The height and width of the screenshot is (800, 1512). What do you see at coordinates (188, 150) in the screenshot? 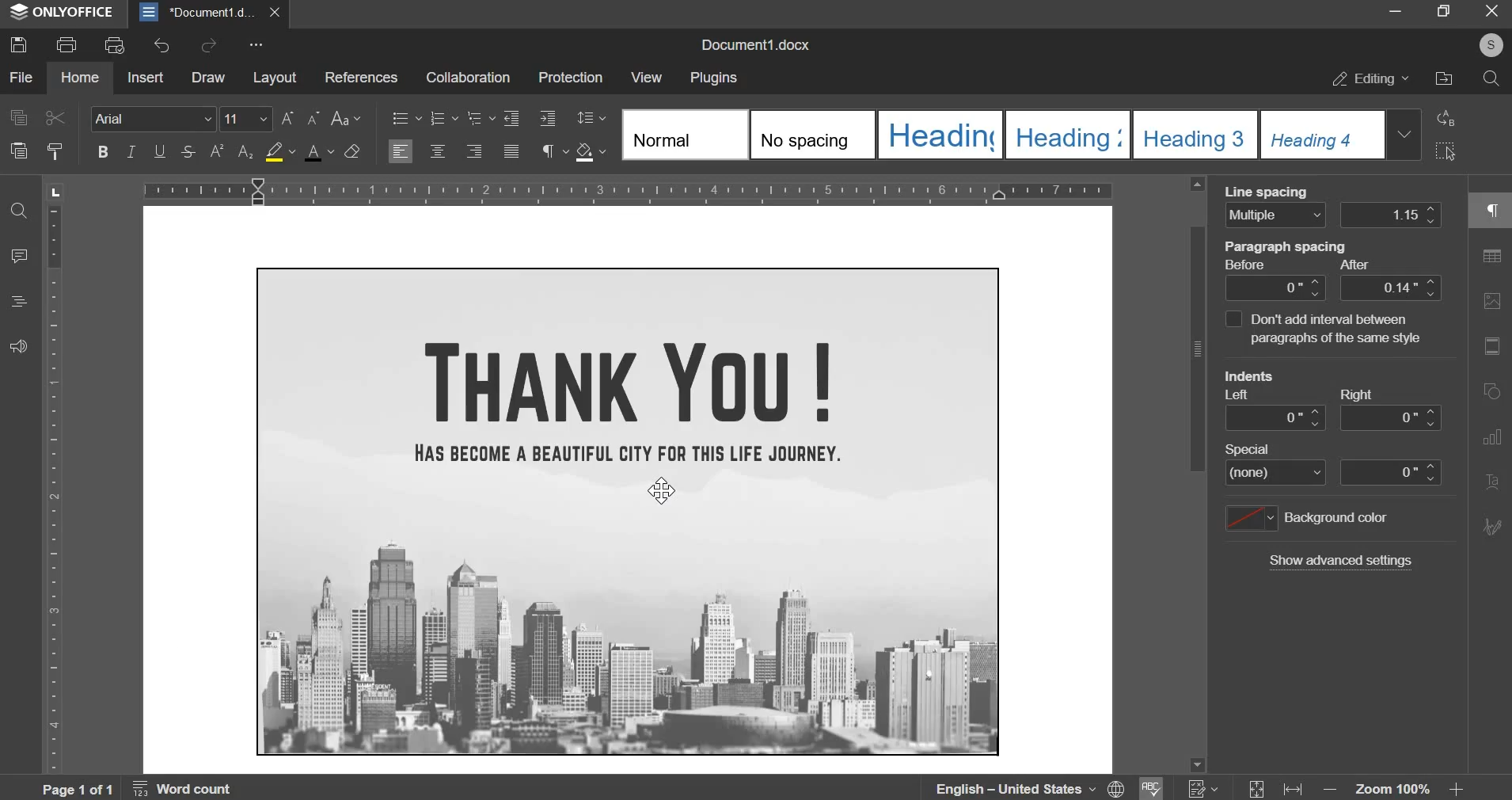
I see `strikethrough` at bounding box center [188, 150].